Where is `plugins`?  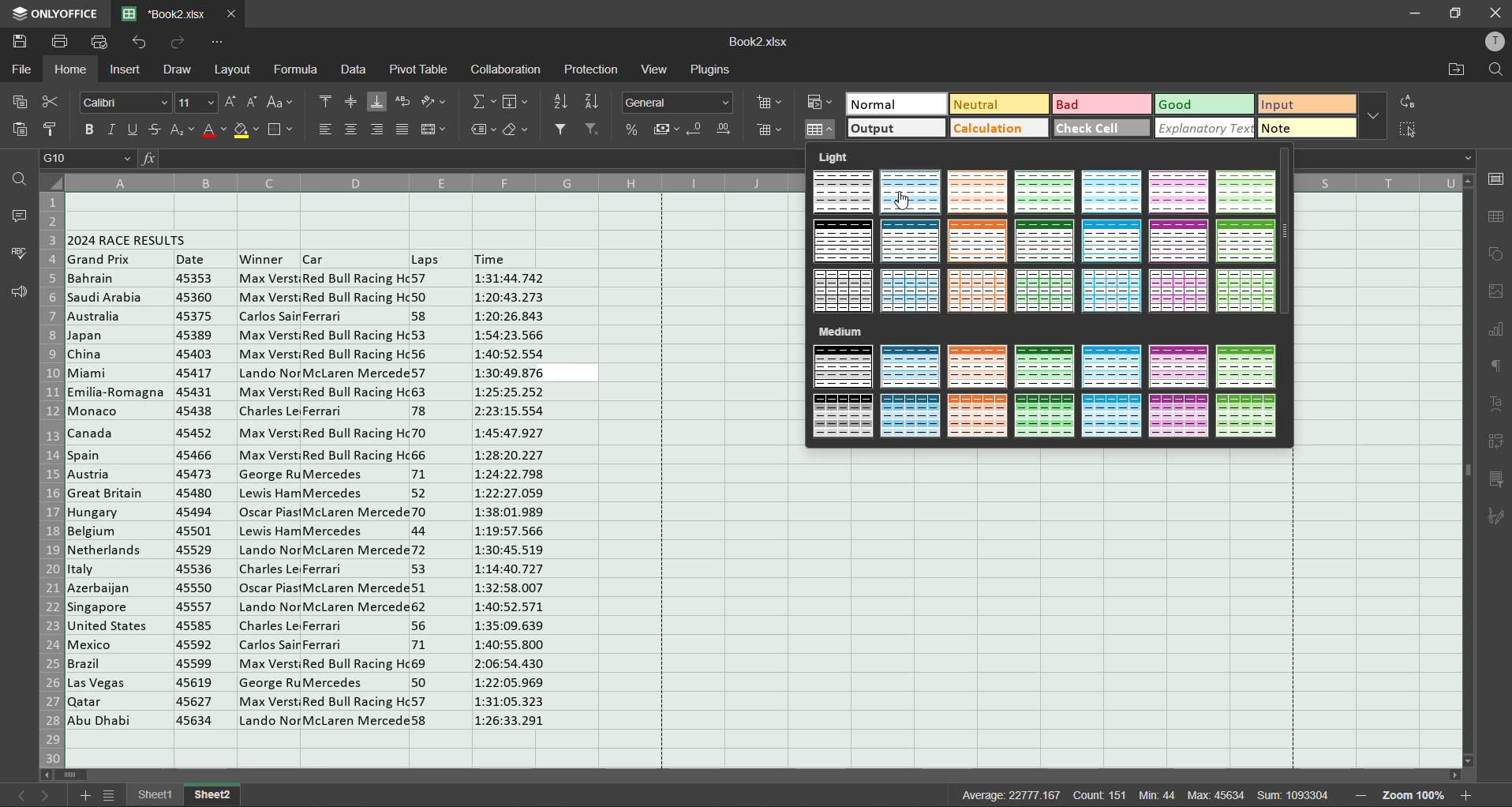
plugins is located at coordinates (710, 72).